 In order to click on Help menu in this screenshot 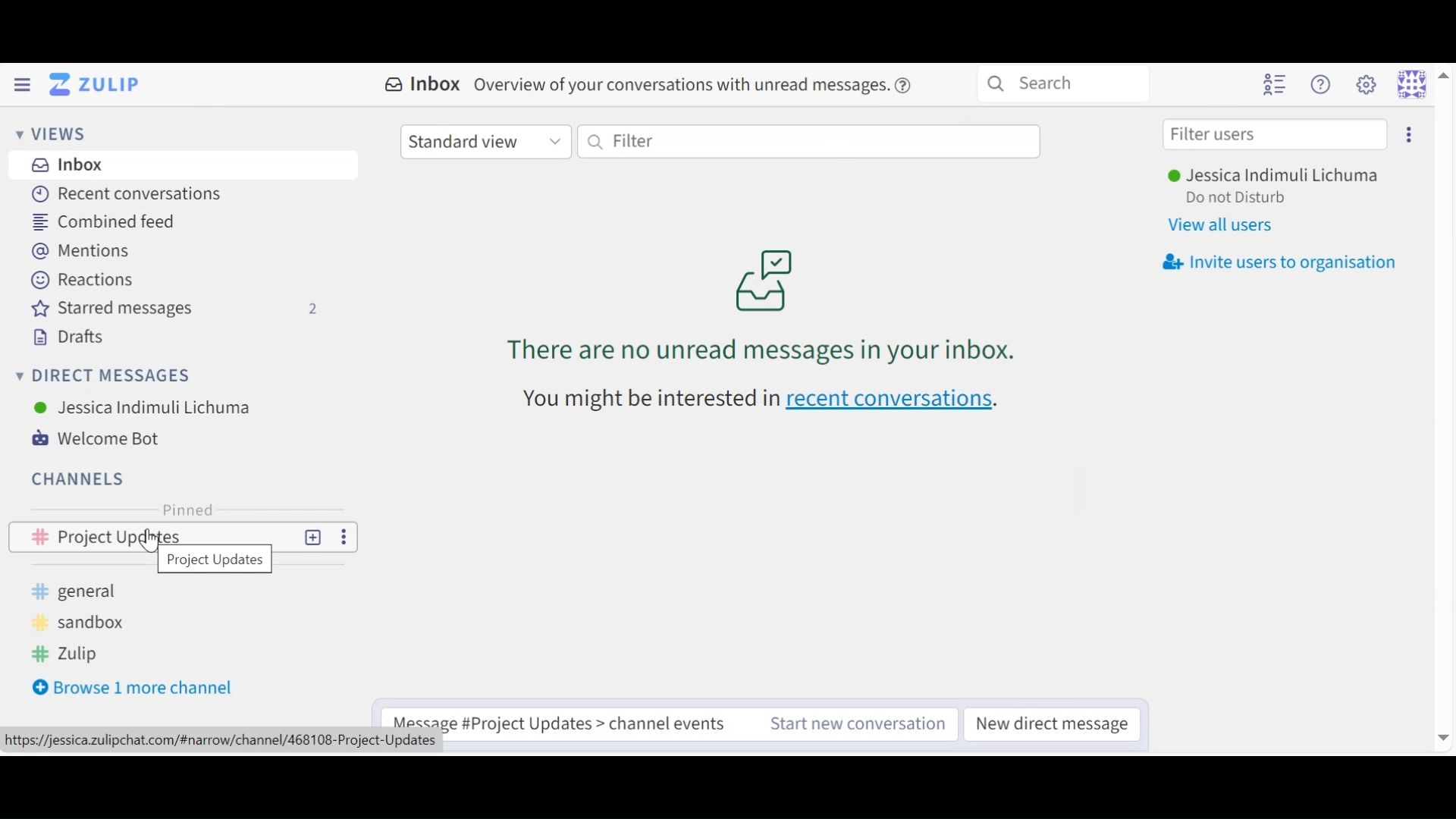, I will do `click(1323, 83)`.